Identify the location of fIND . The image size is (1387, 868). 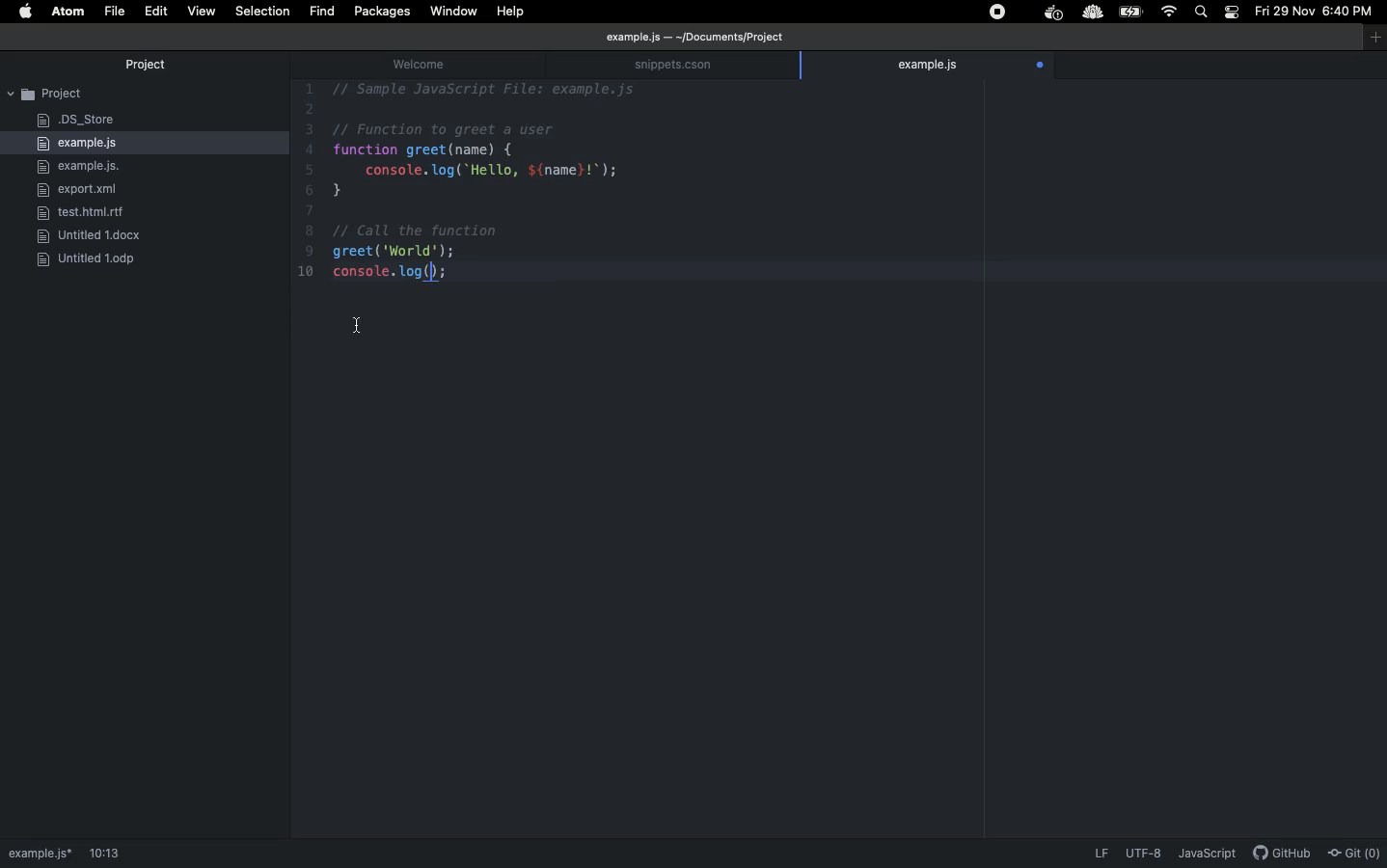
(321, 11).